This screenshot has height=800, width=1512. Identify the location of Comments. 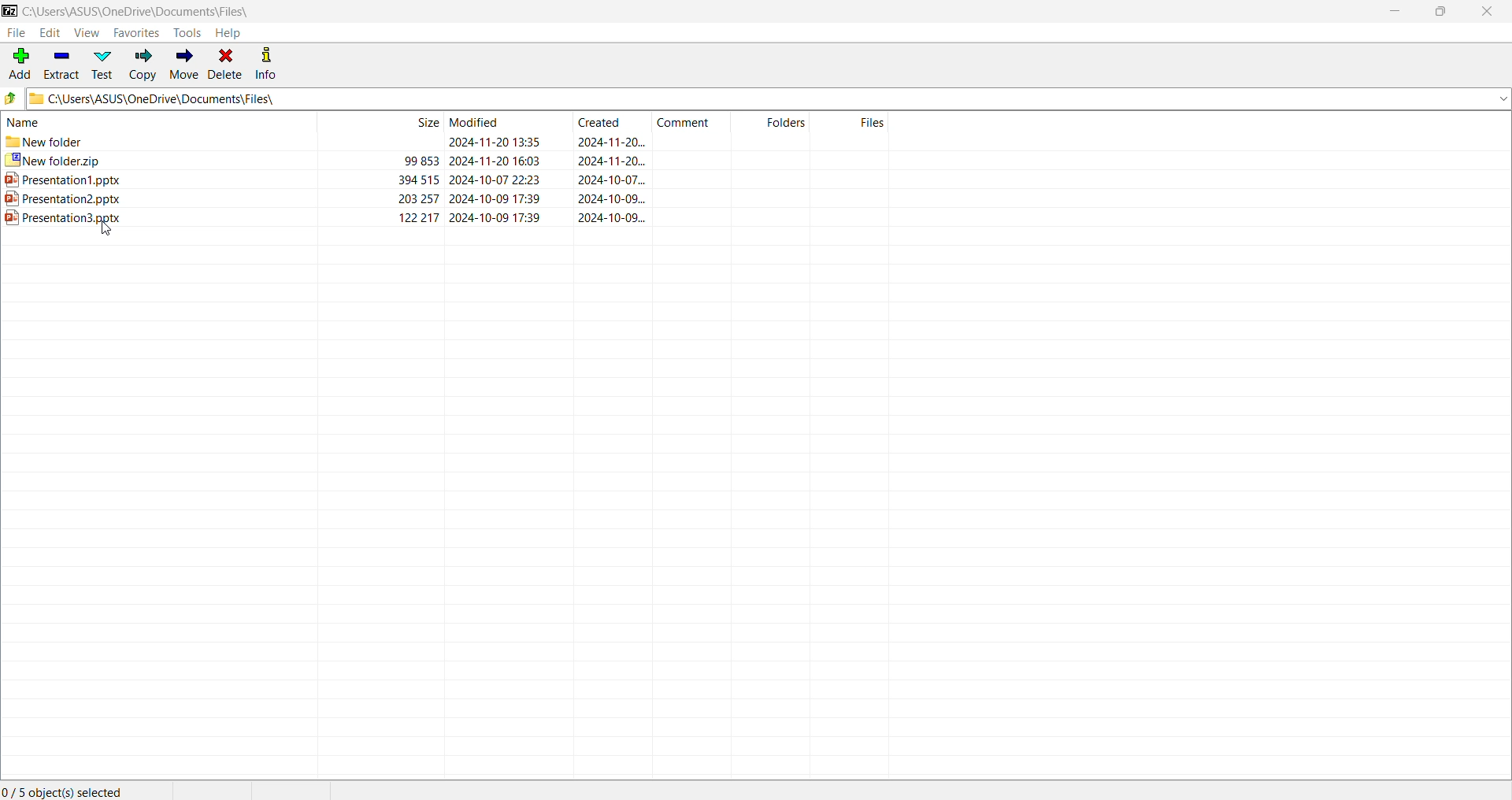
(692, 120).